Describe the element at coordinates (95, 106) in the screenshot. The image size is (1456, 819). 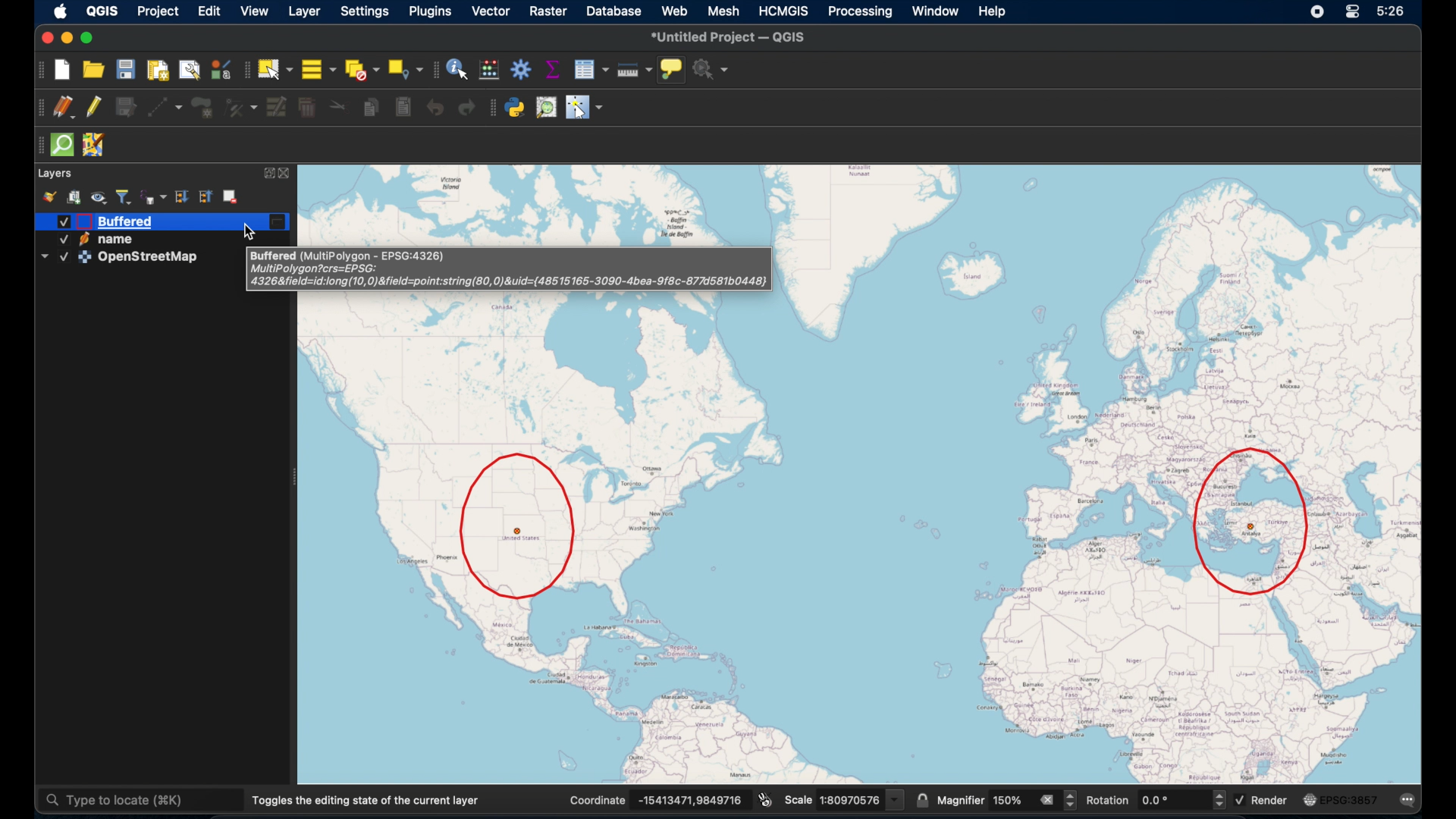
I see `toggle editing` at that location.